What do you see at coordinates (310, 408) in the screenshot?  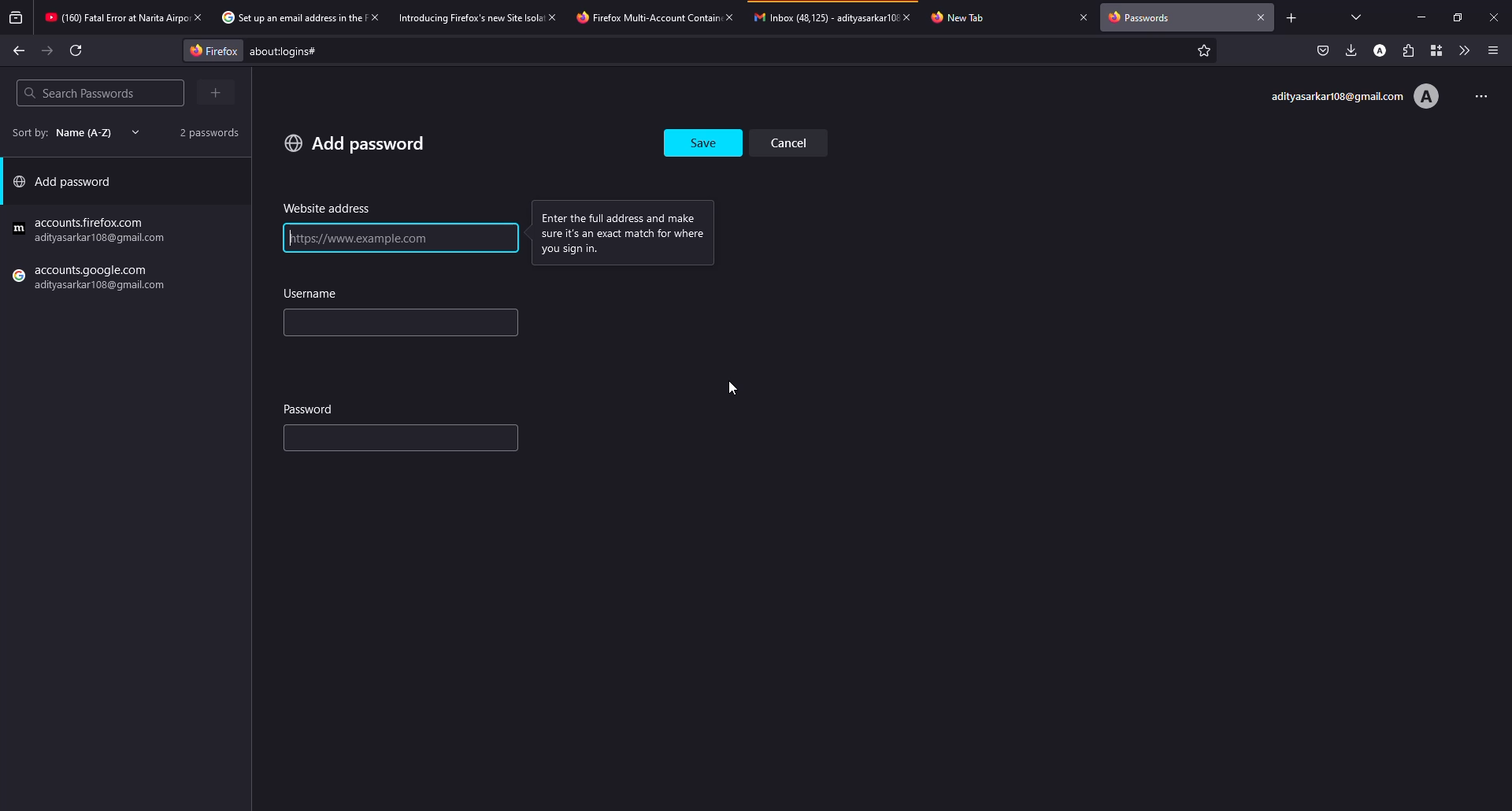 I see `password` at bounding box center [310, 408].